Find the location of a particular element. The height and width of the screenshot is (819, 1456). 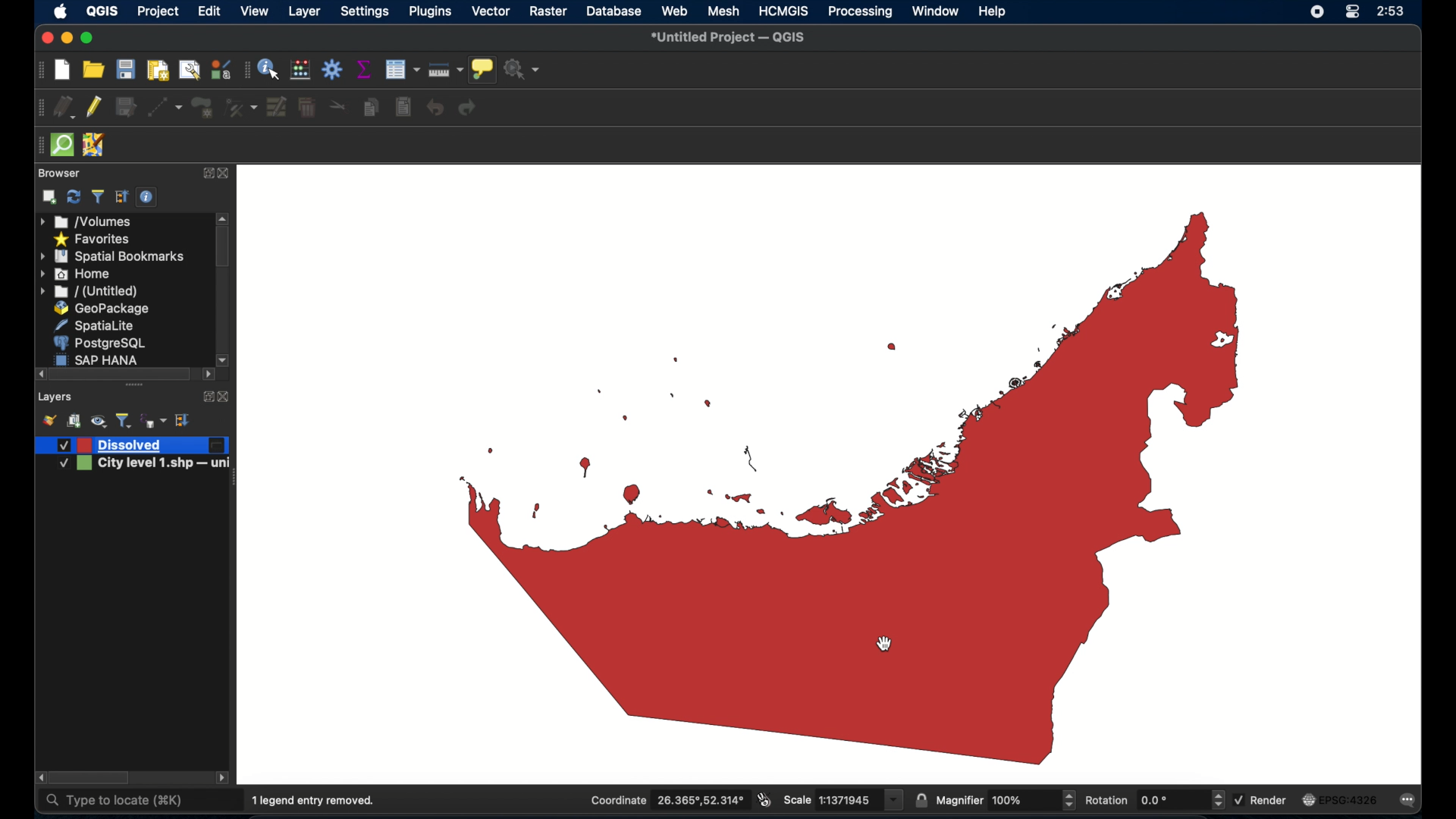

manage map theme is located at coordinates (98, 423).